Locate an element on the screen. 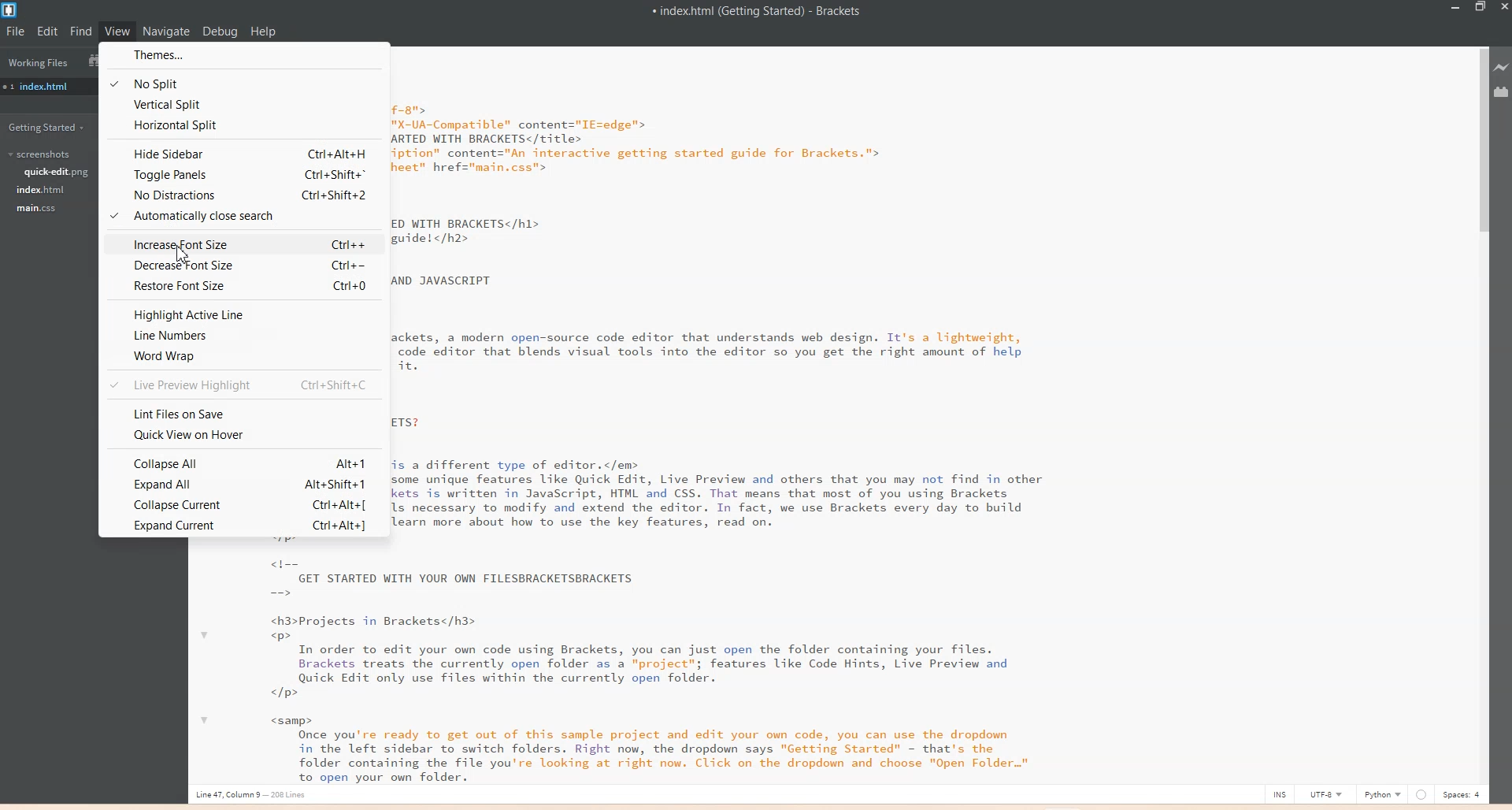 The image size is (1512, 810). Restore Font Size is located at coordinates (242, 286).